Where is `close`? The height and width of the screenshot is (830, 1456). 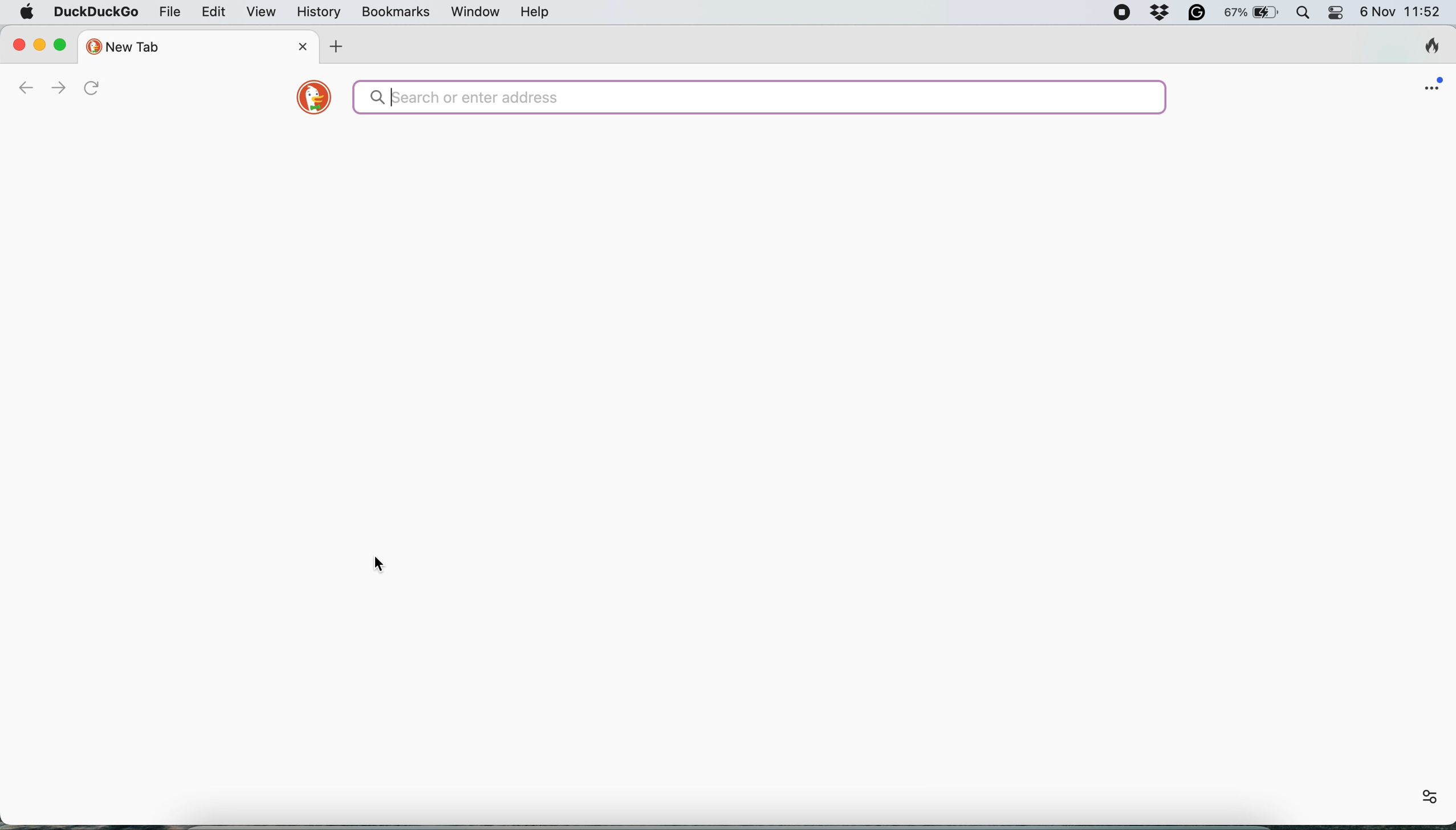 close is located at coordinates (299, 48).